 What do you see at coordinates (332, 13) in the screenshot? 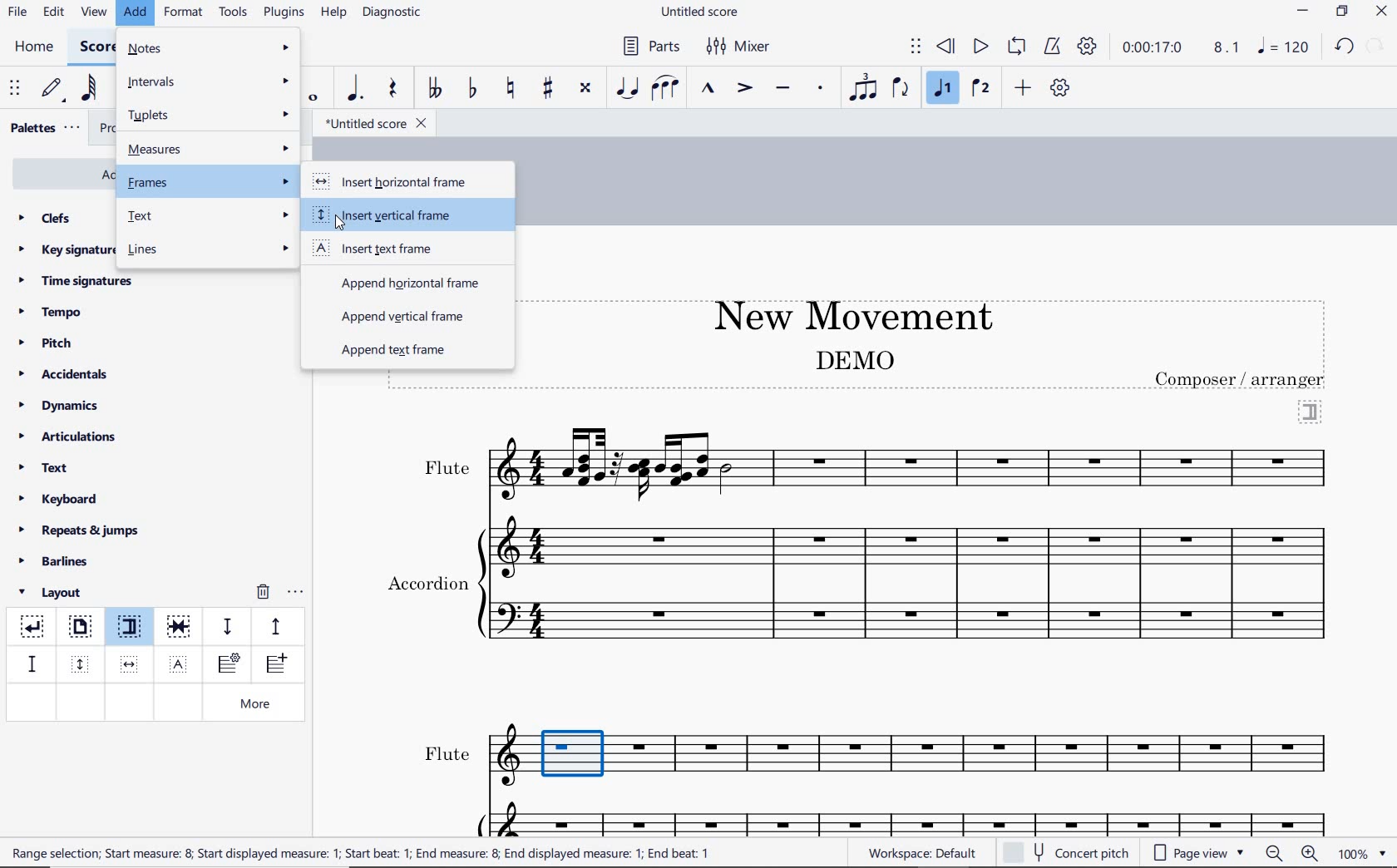
I see `help` at bounding box center [332, 13].